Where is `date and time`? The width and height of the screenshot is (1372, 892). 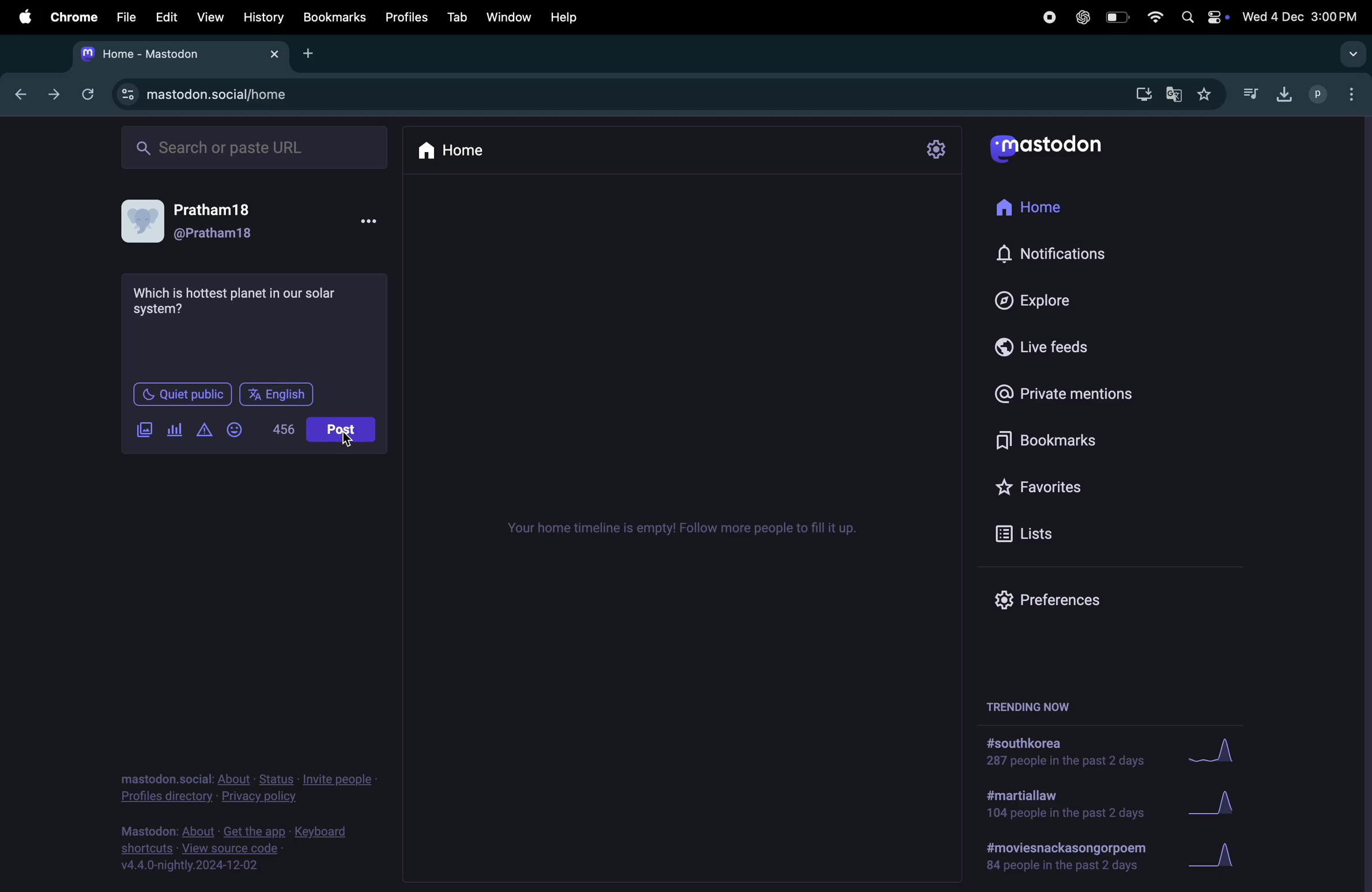
date and time is located at coordinates (1299, 17).